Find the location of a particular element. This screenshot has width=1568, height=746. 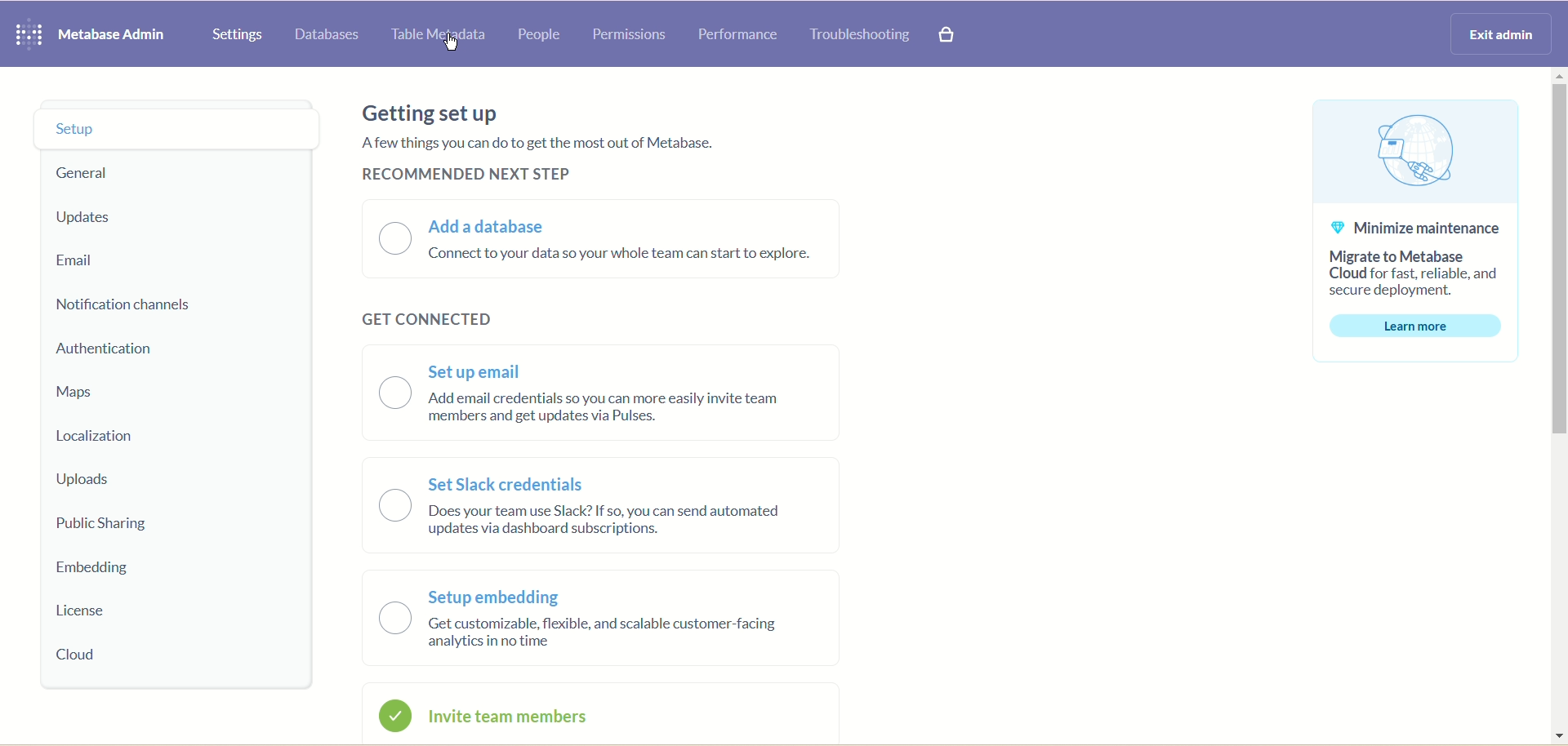

Databases is located at coordinates (327, 38).